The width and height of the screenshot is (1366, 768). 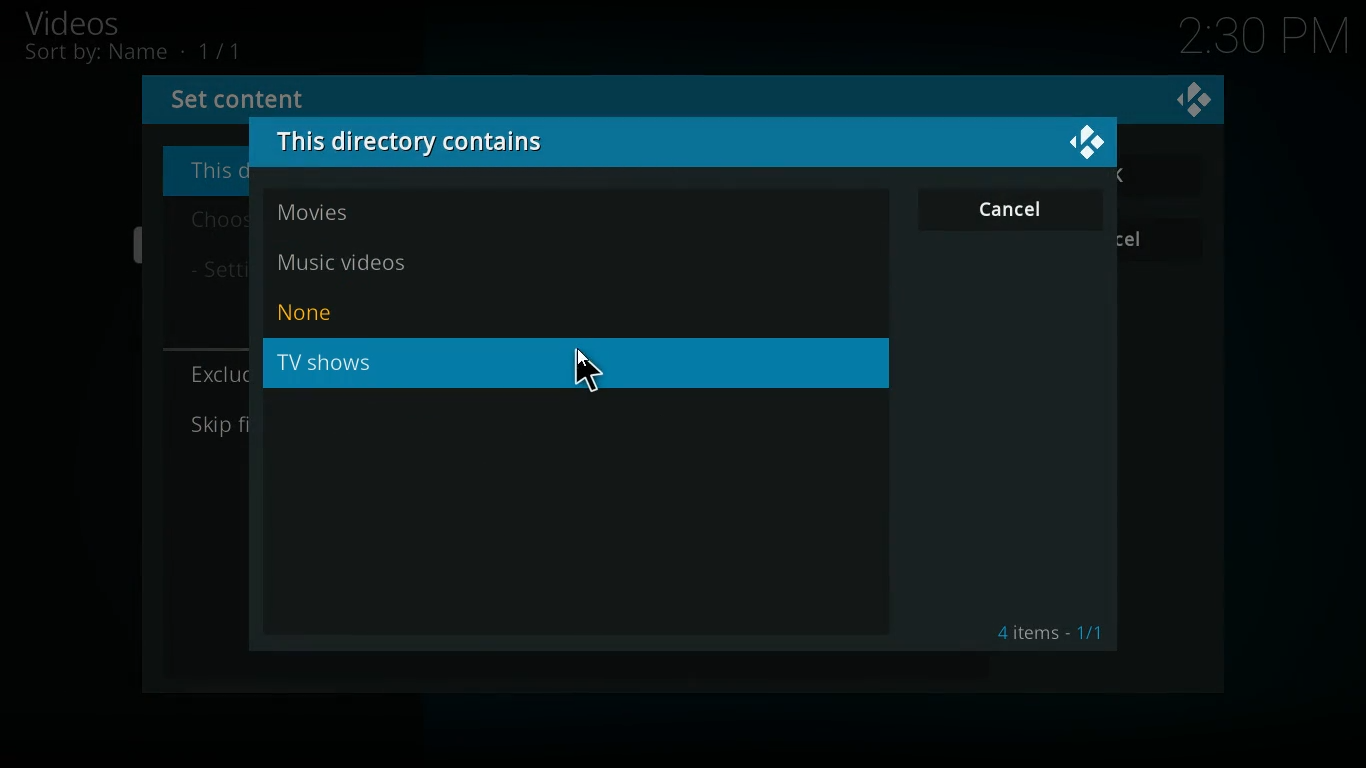 What do you see at coordinates (374, 258) in the screenshot?
I see `music videos` at bounding box center [374, 258].